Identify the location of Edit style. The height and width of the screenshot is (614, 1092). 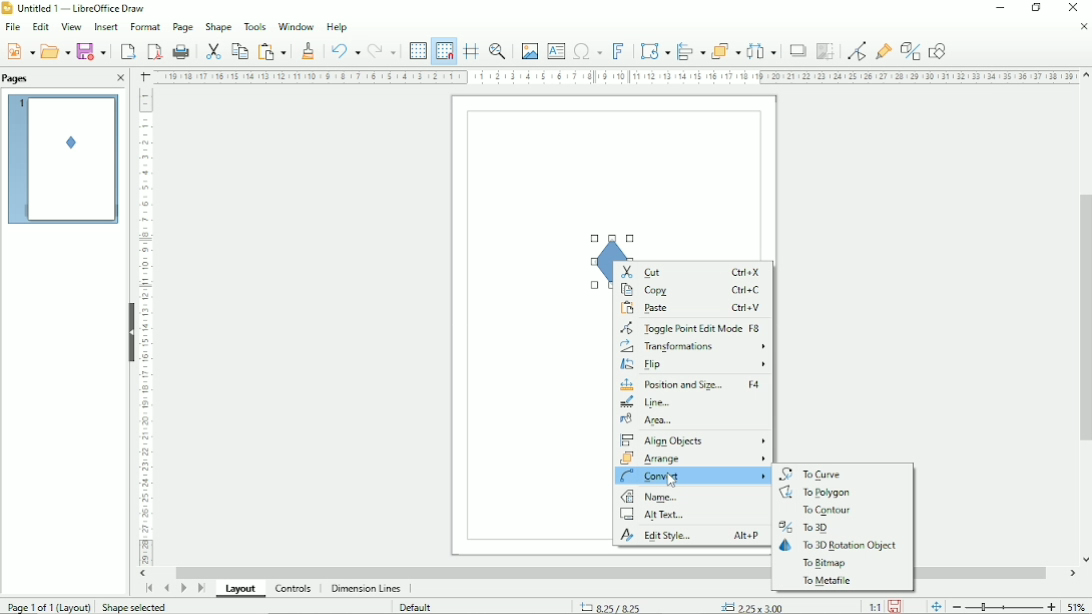
(689, 537).